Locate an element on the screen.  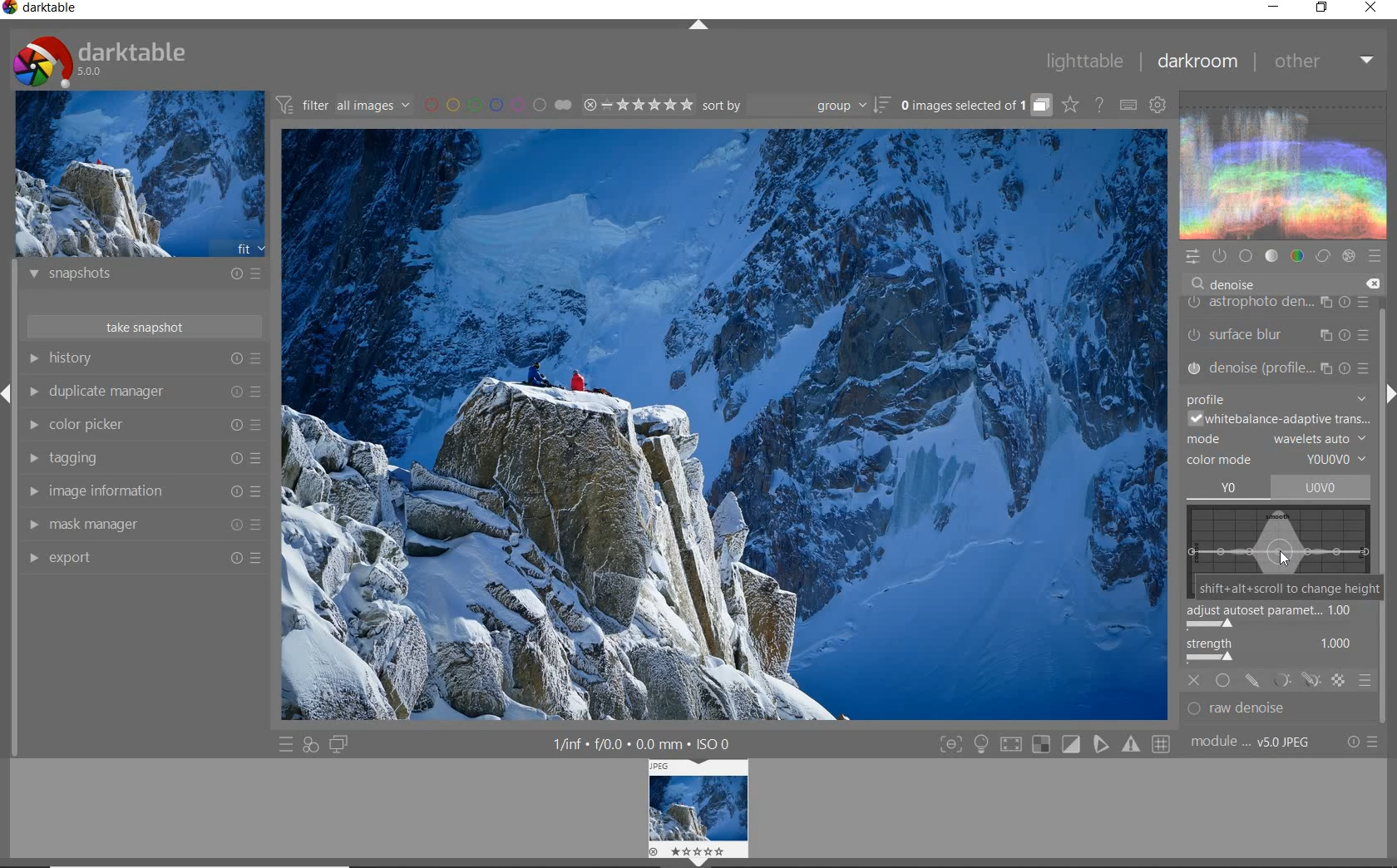
take snapshot is located at coordinates (147, 326).